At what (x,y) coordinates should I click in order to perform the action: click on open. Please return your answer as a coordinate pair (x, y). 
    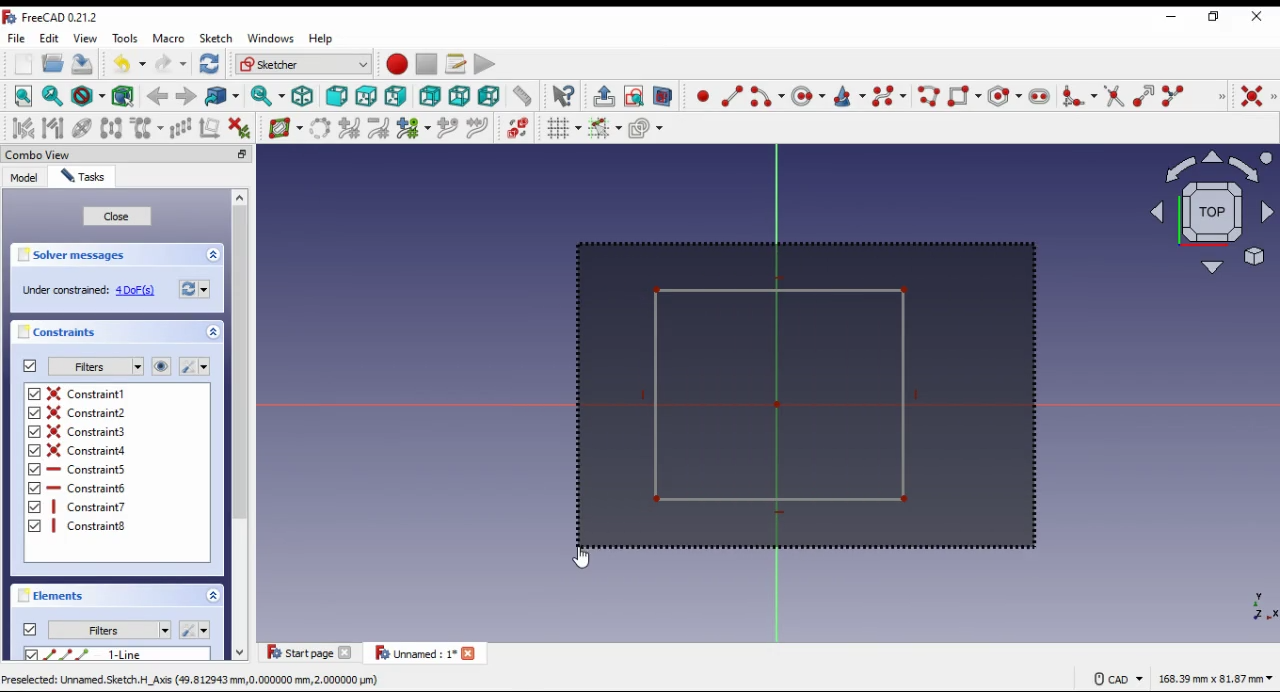
    Looking at the image, I should click on (53, 63).